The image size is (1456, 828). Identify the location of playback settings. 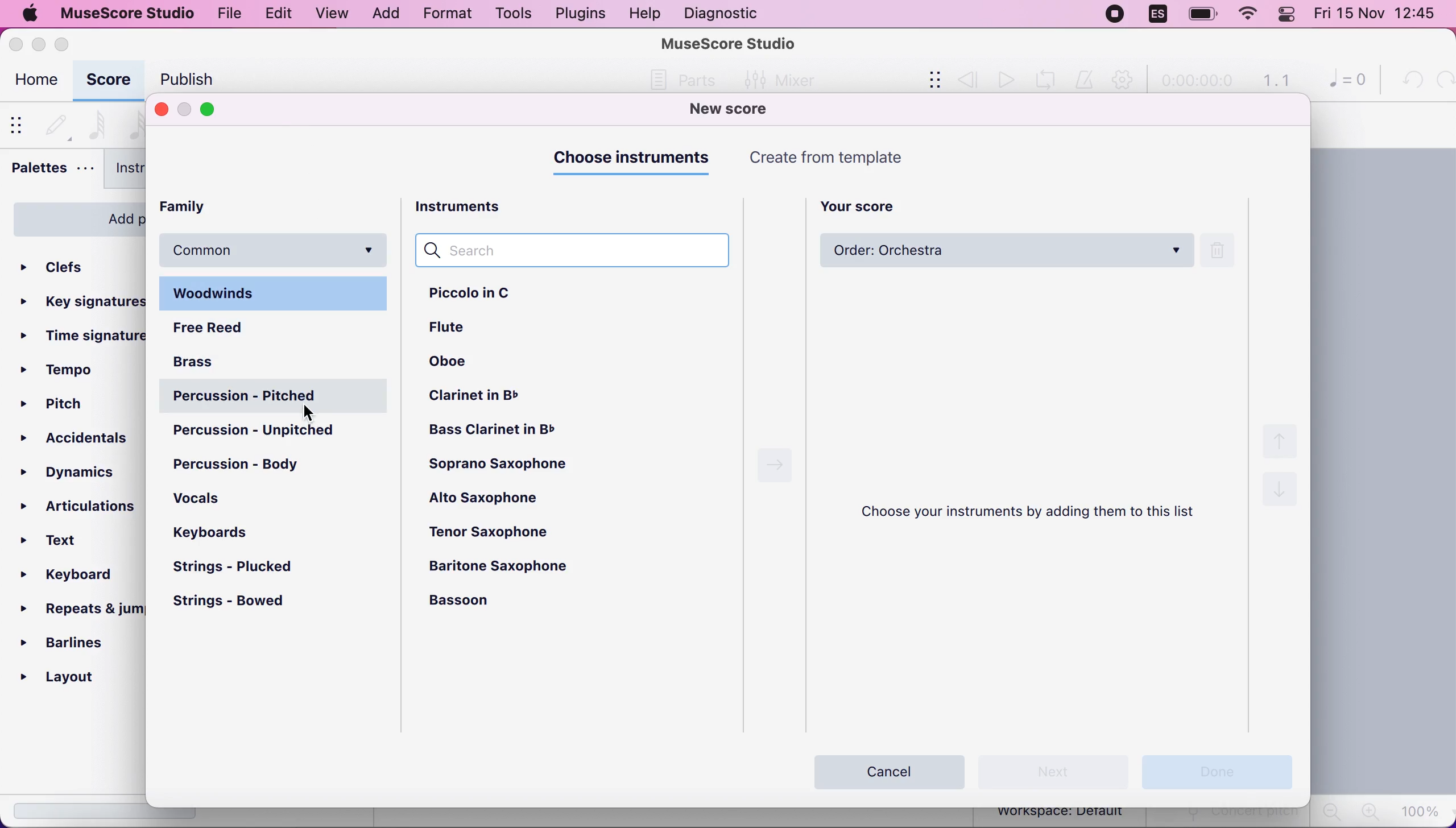
(1126, 81).